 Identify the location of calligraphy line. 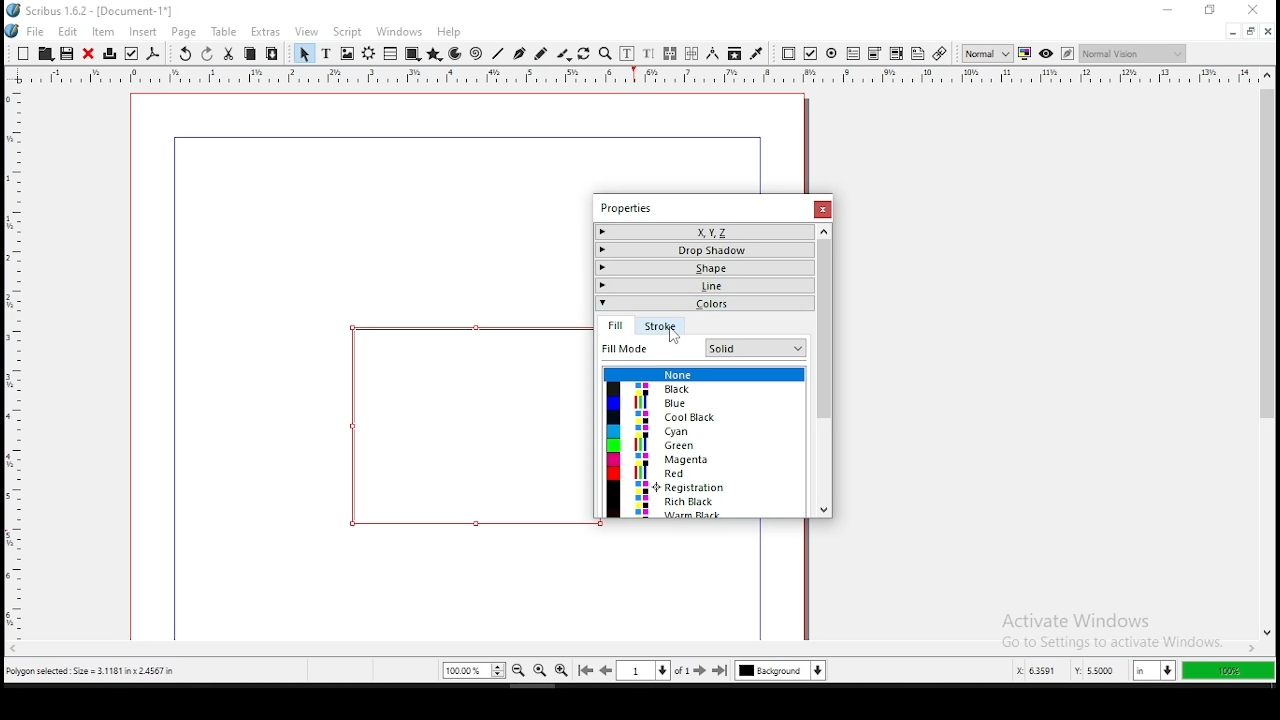
(564, 54).